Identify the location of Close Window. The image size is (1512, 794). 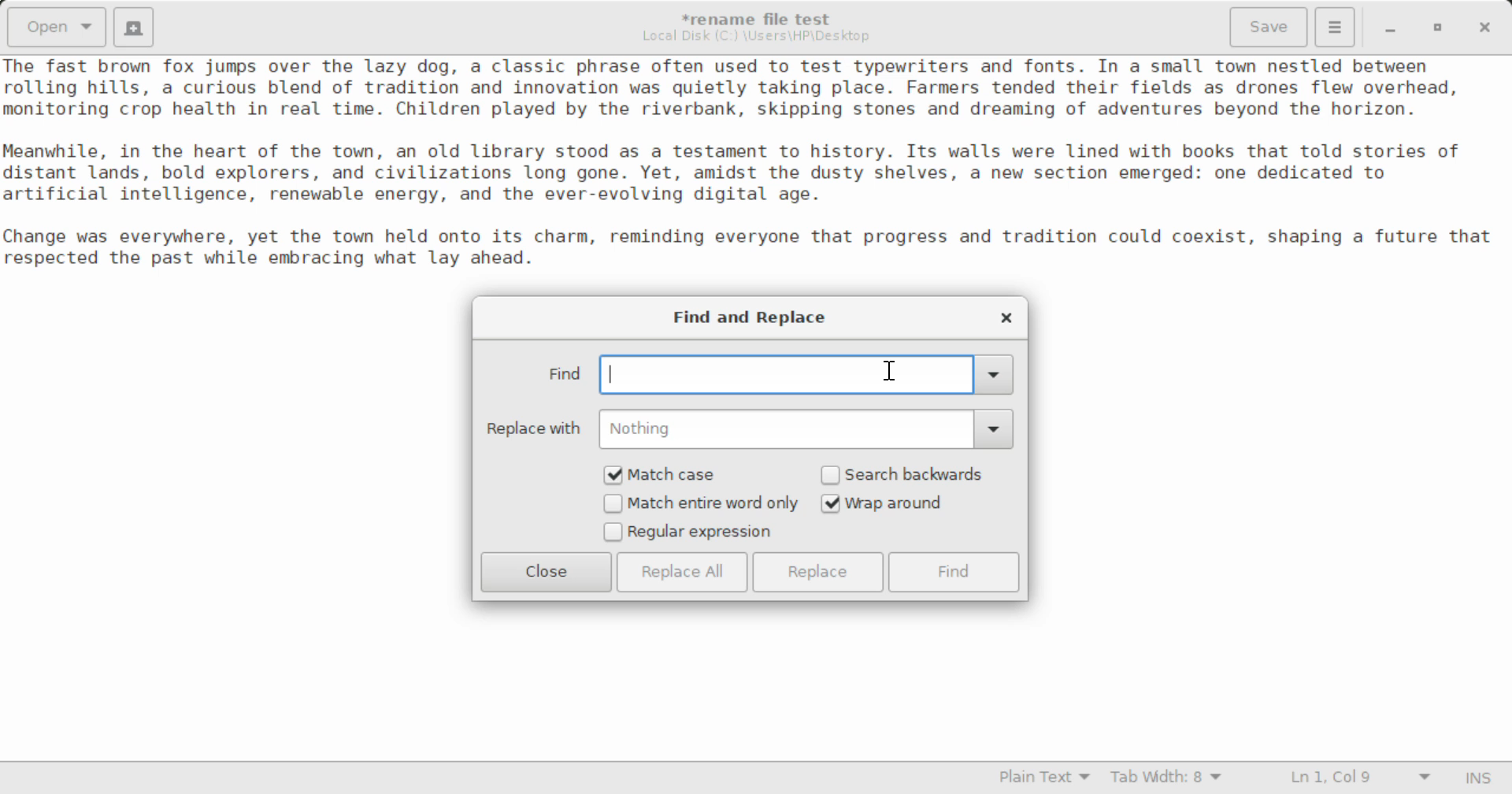
(1003, 317).